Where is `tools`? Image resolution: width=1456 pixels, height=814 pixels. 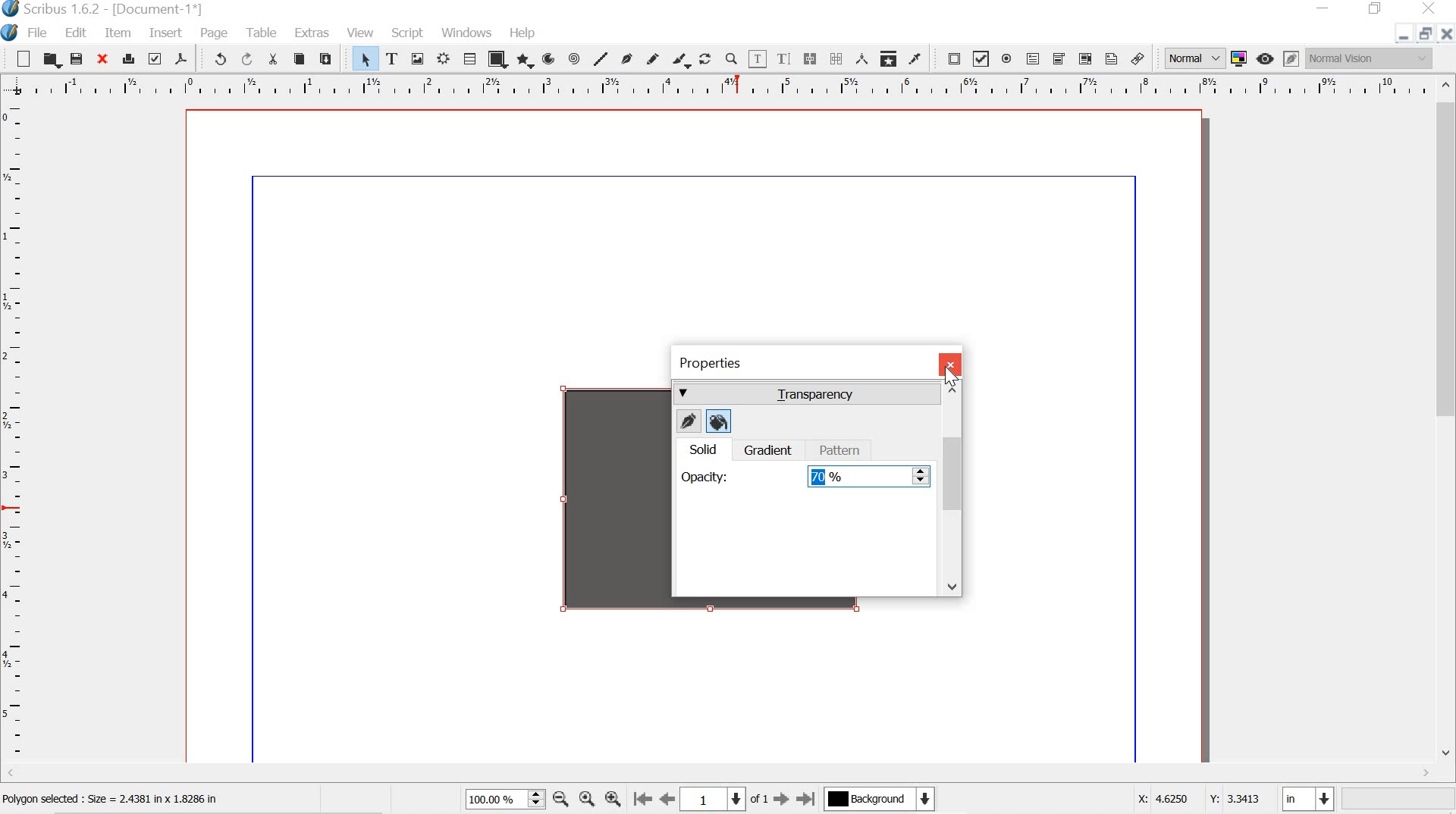 tools is located at coordinates (262, 31).